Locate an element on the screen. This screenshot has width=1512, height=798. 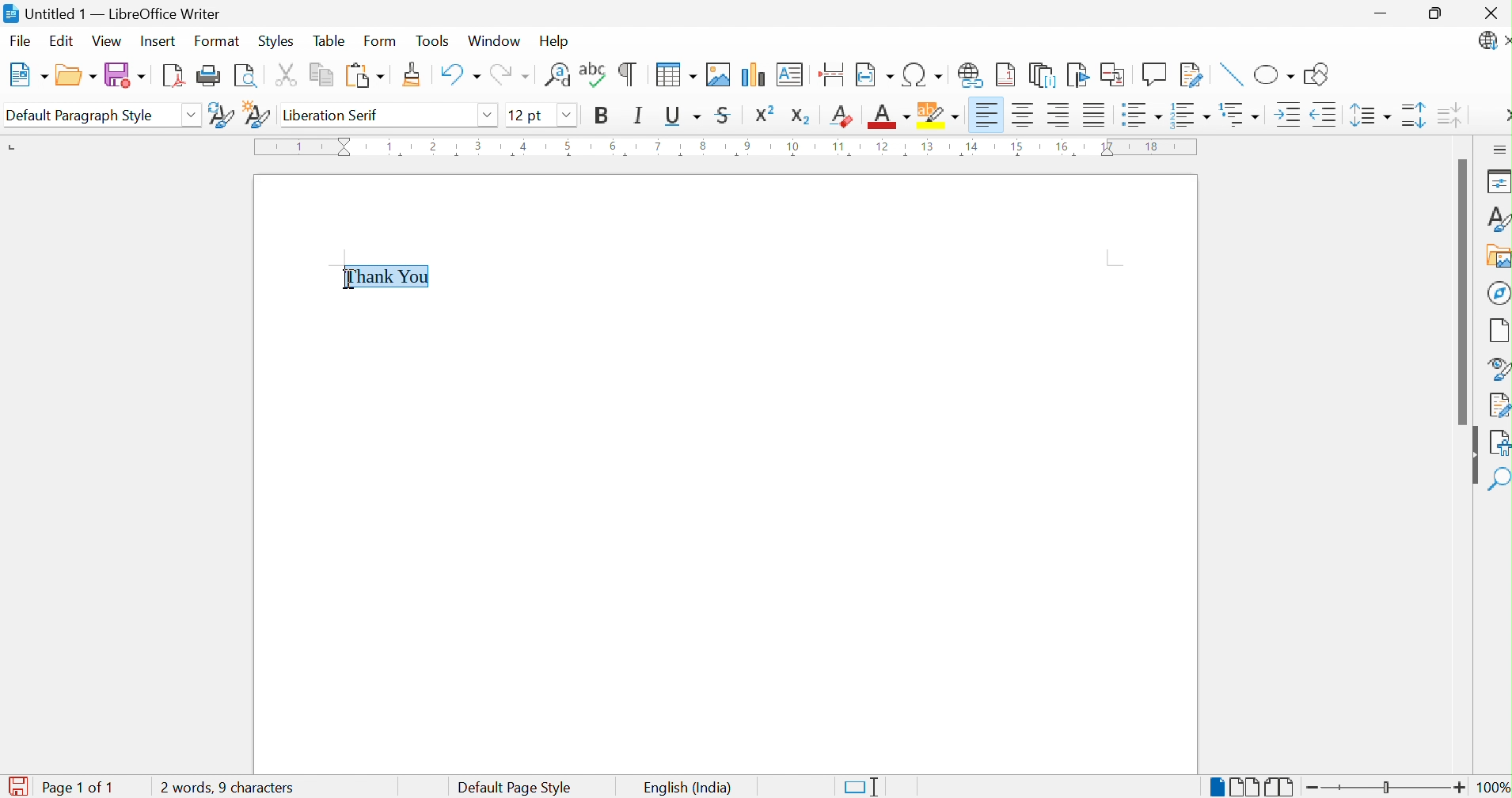
Align Center is located at coordinates (1024, 115).